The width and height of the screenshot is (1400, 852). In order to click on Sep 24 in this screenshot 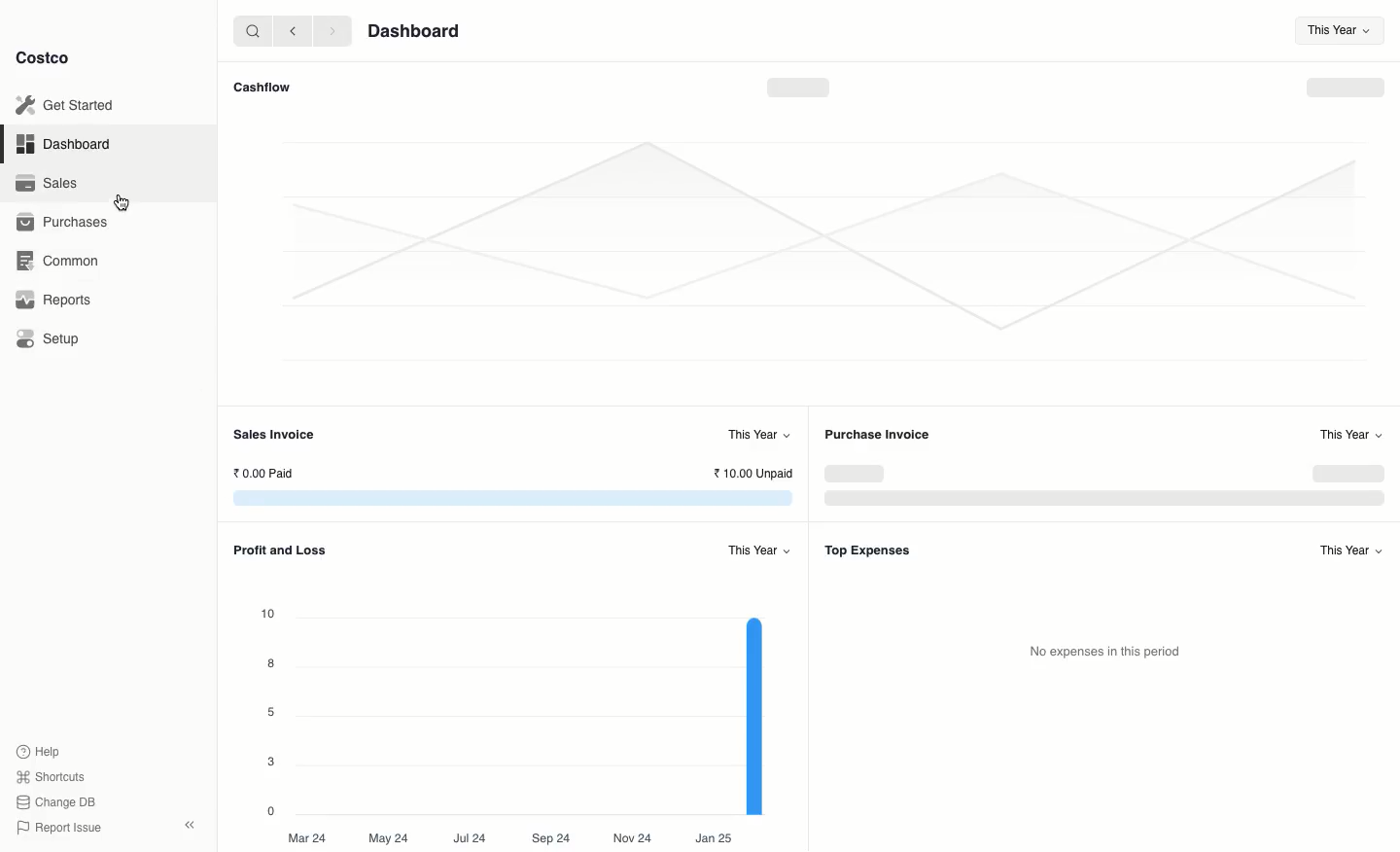, I will do `click(553, 837)`.